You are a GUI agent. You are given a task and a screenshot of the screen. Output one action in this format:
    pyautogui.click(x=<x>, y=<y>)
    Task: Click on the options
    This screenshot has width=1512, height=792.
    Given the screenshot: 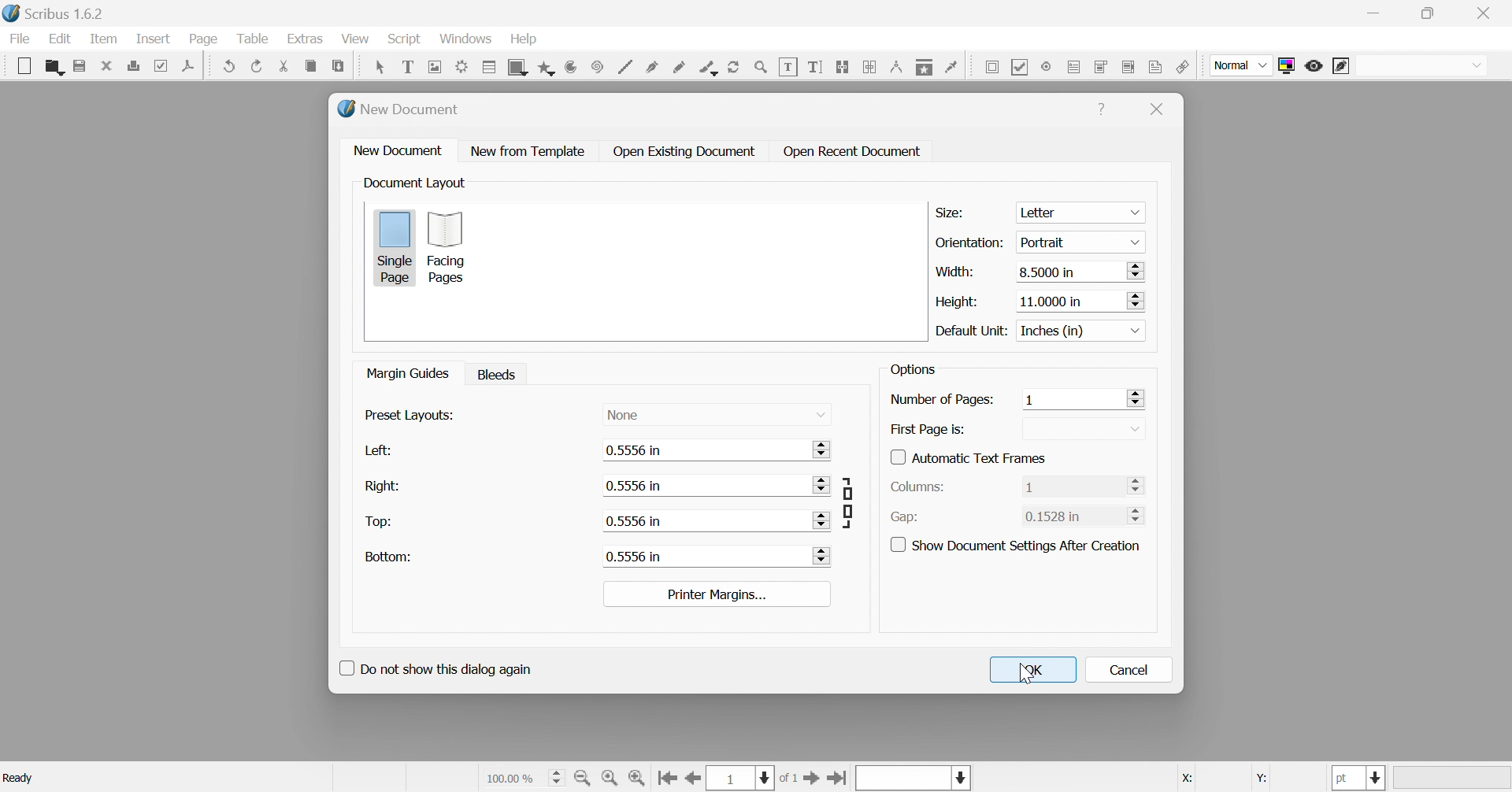 What is the action you would take?
    pyautogui.click(x=913, y=369)
    